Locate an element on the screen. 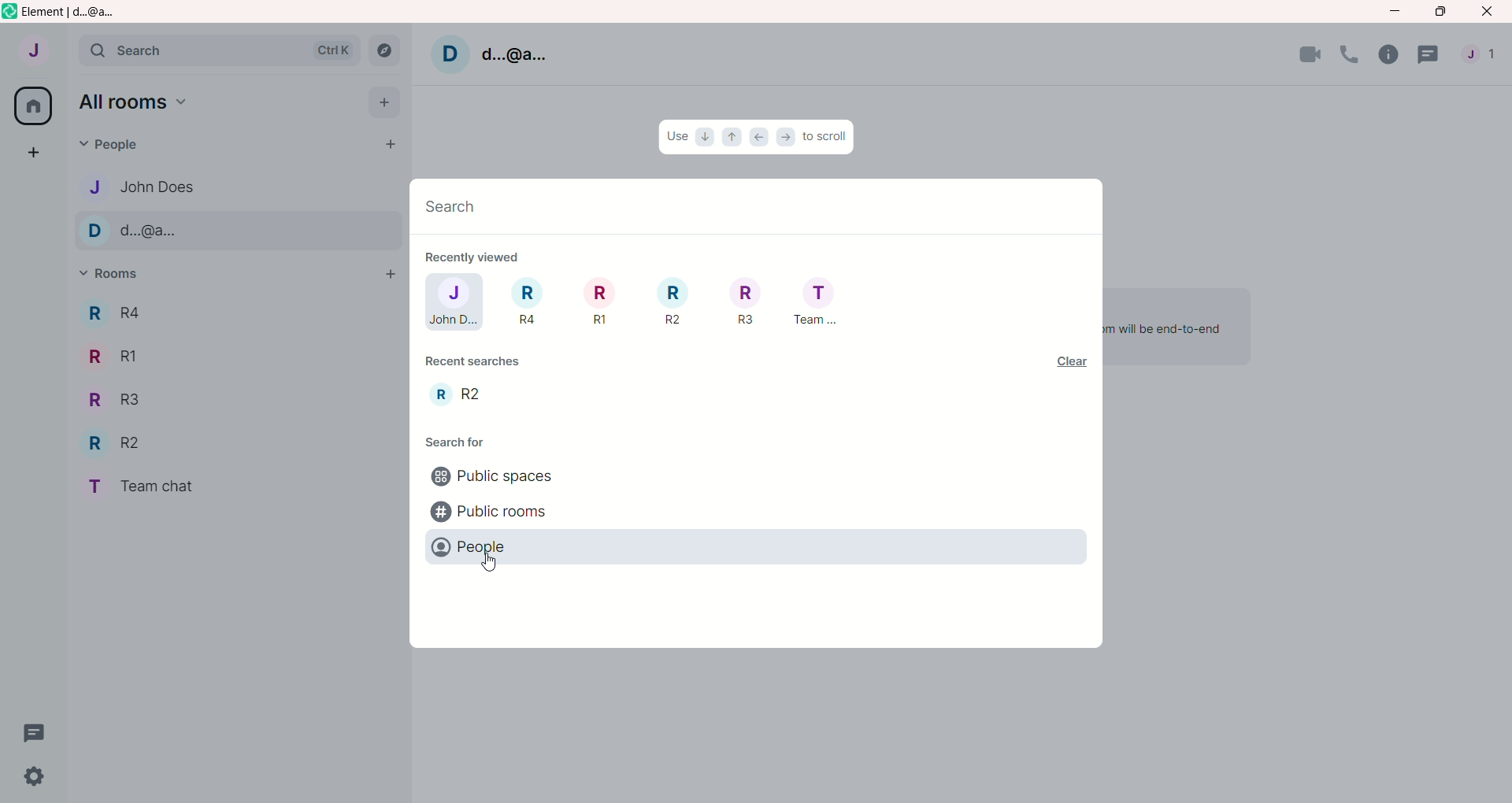  john does is located at coordinates (138, 184).